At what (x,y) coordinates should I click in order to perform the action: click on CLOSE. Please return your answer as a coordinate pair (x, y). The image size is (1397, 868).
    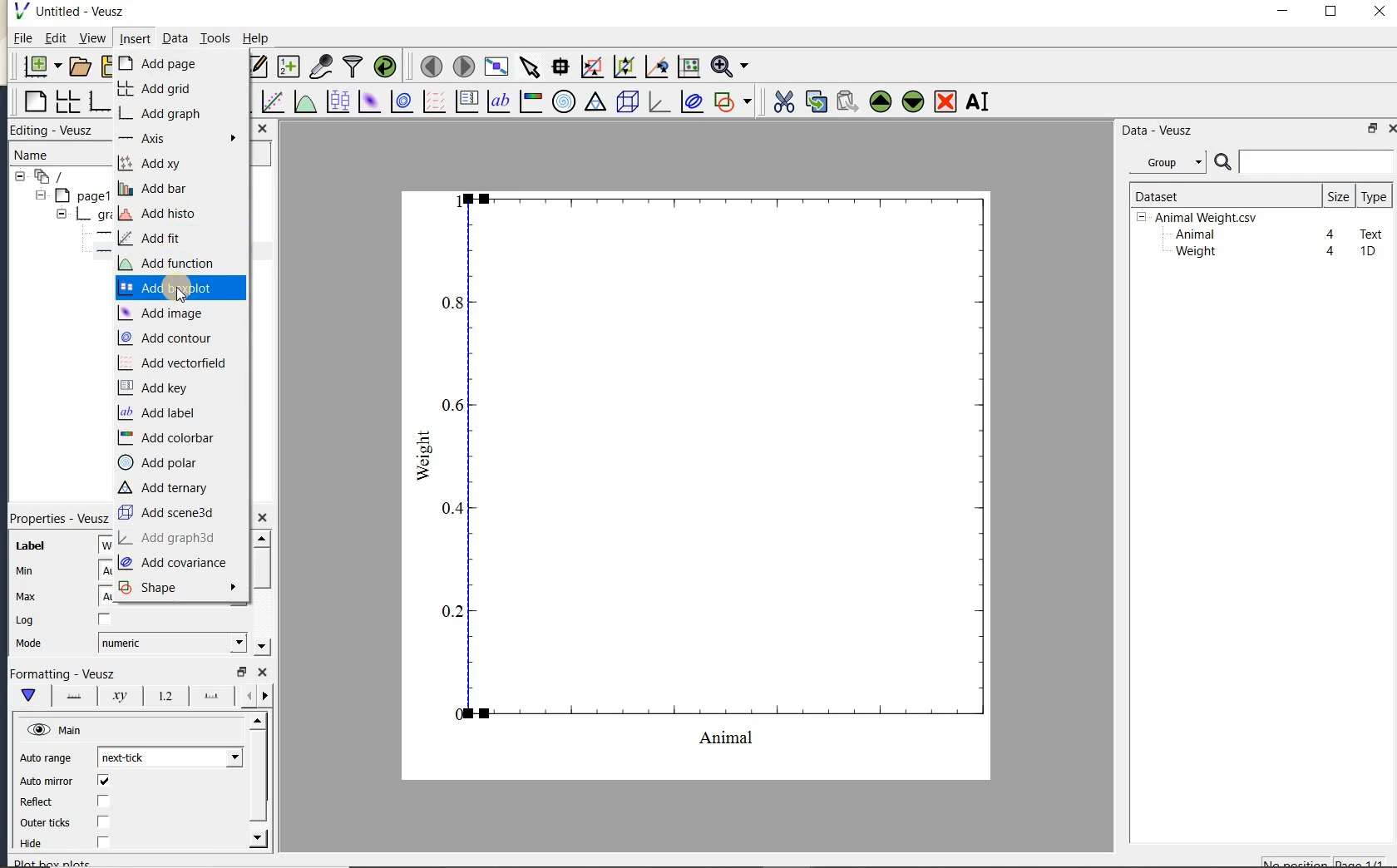
    Looking at the image, I should click on (262, 128).